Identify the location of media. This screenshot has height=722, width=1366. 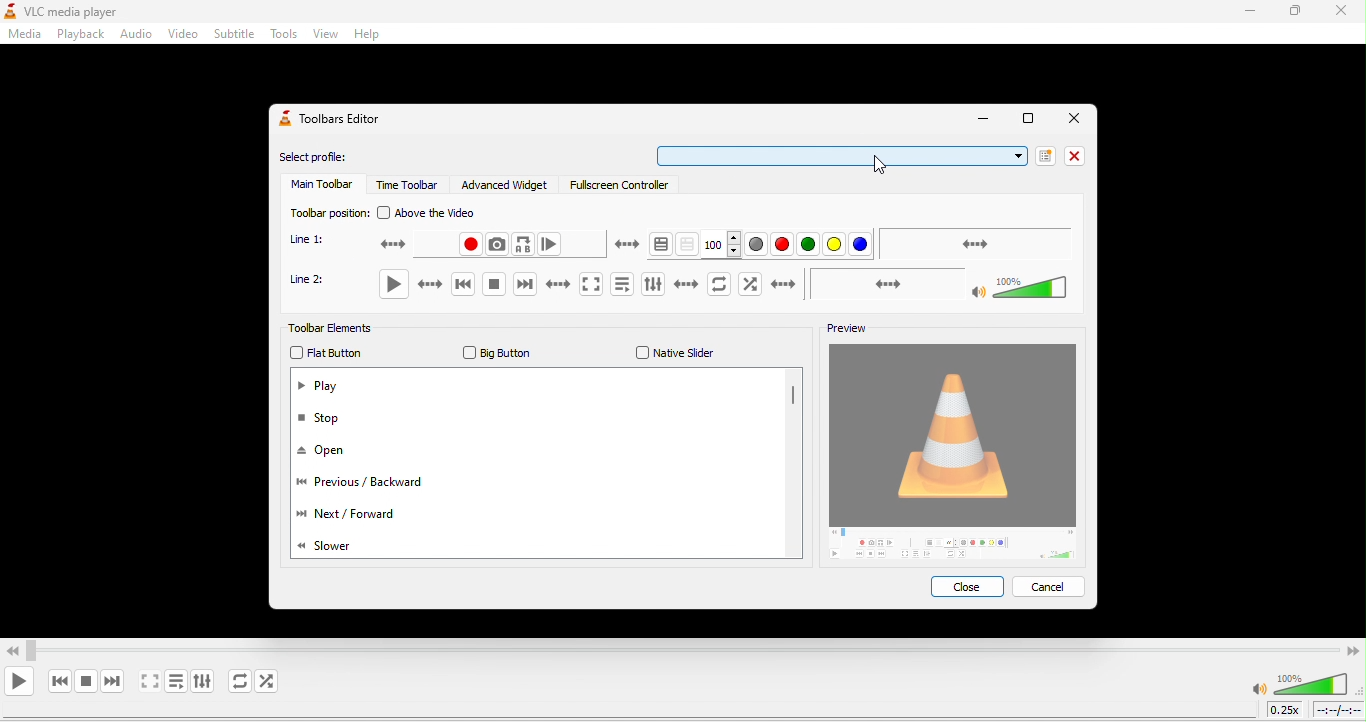
(23, 36).